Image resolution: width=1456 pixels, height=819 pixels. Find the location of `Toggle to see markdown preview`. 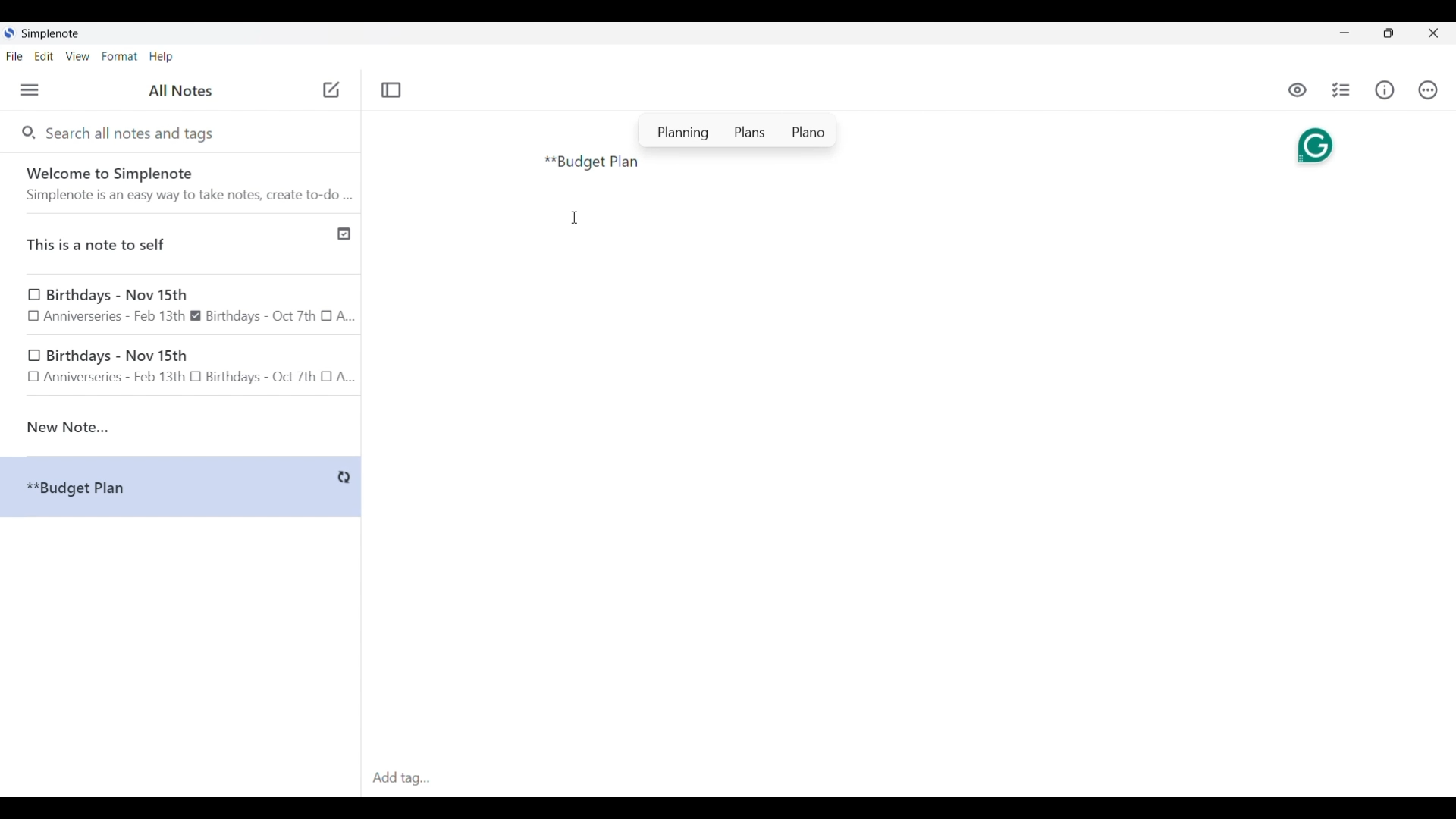

Toggle to see markdown preview is located at coordinates (1298, 90).